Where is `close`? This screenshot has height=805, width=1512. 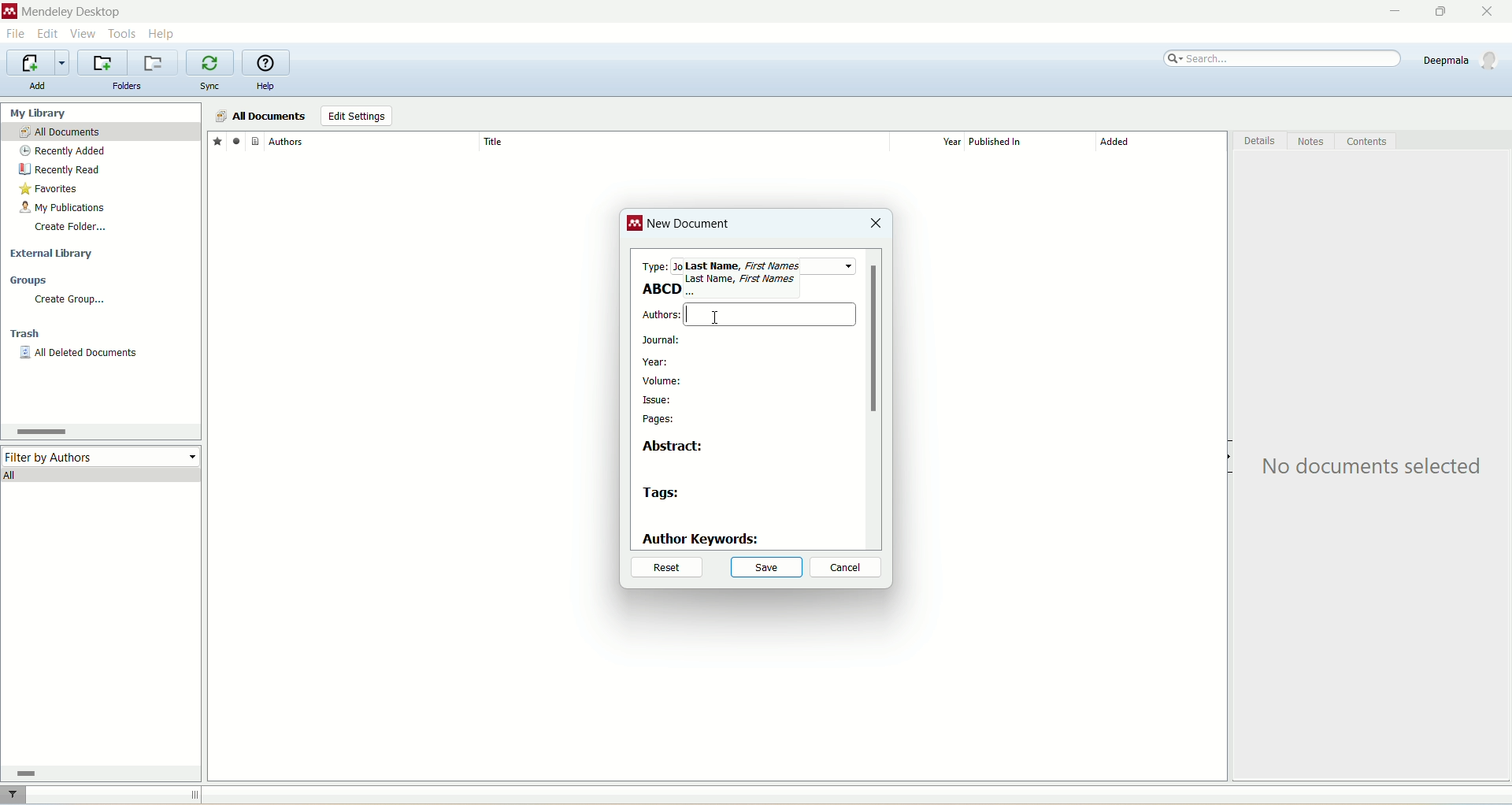 close is located at coordinates (1494, 12).